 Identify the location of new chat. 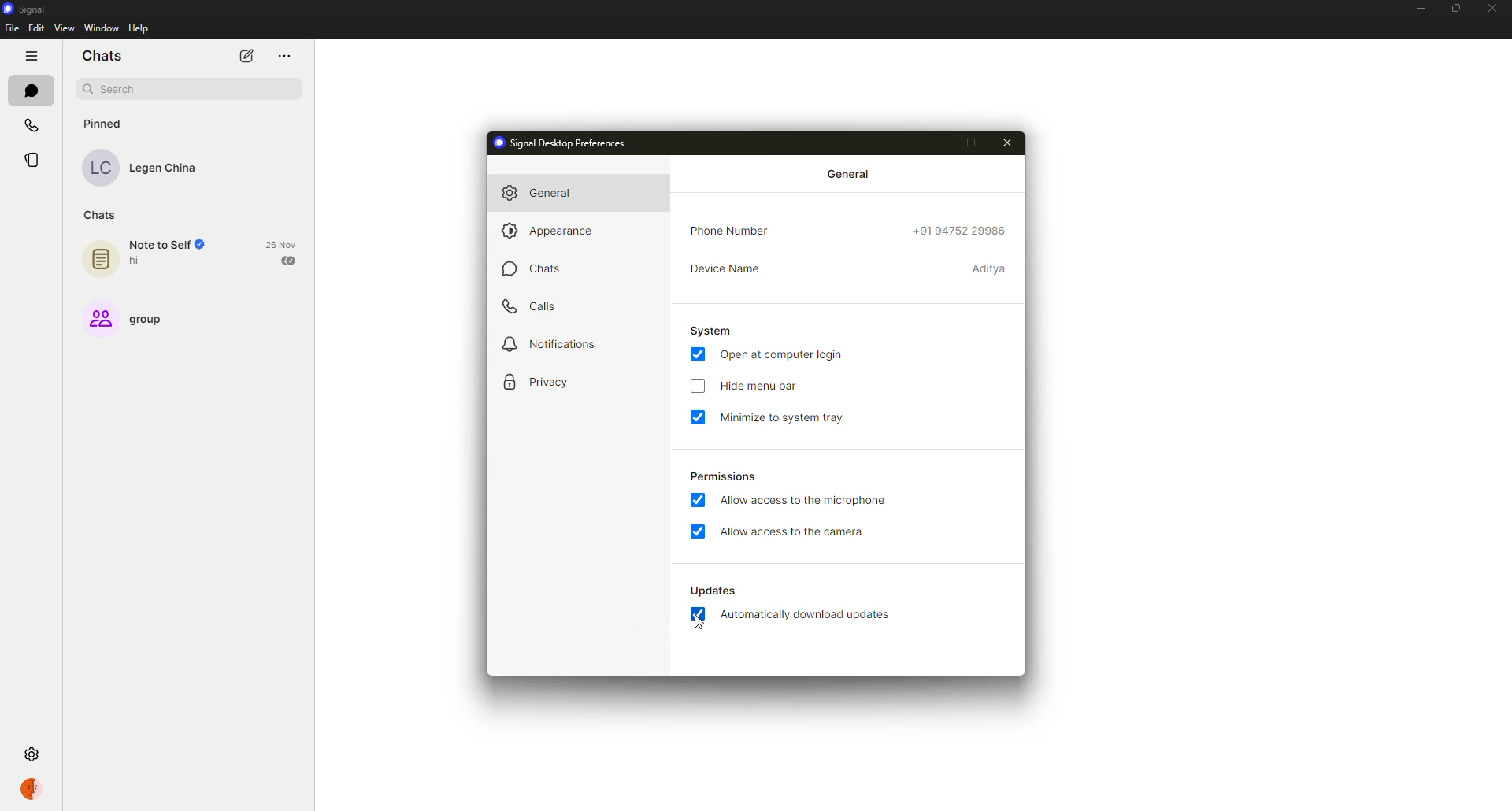
(246, 57).